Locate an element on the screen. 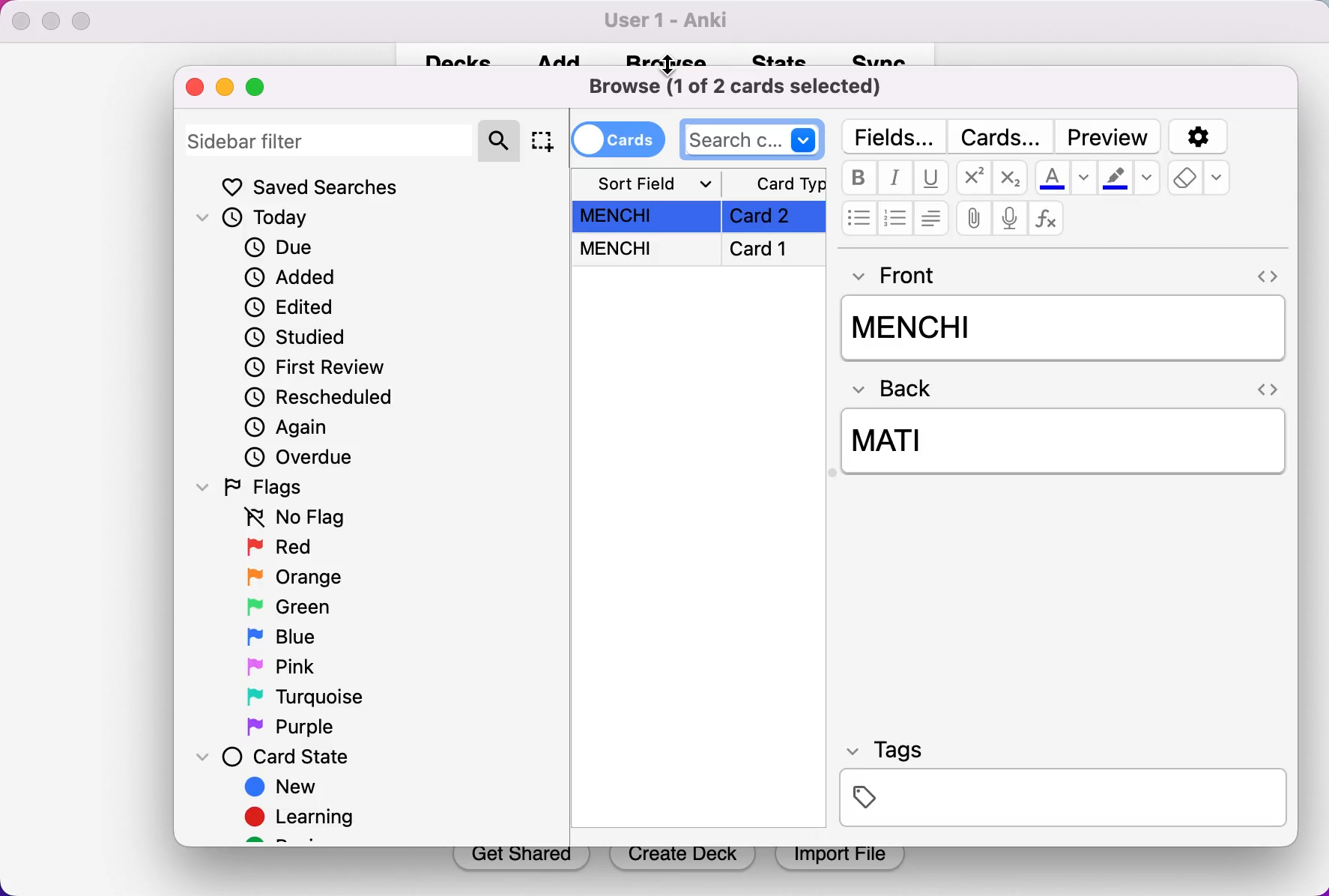 This screenshot has width=1329, height=896. first review is located at coordinates (320, 369).